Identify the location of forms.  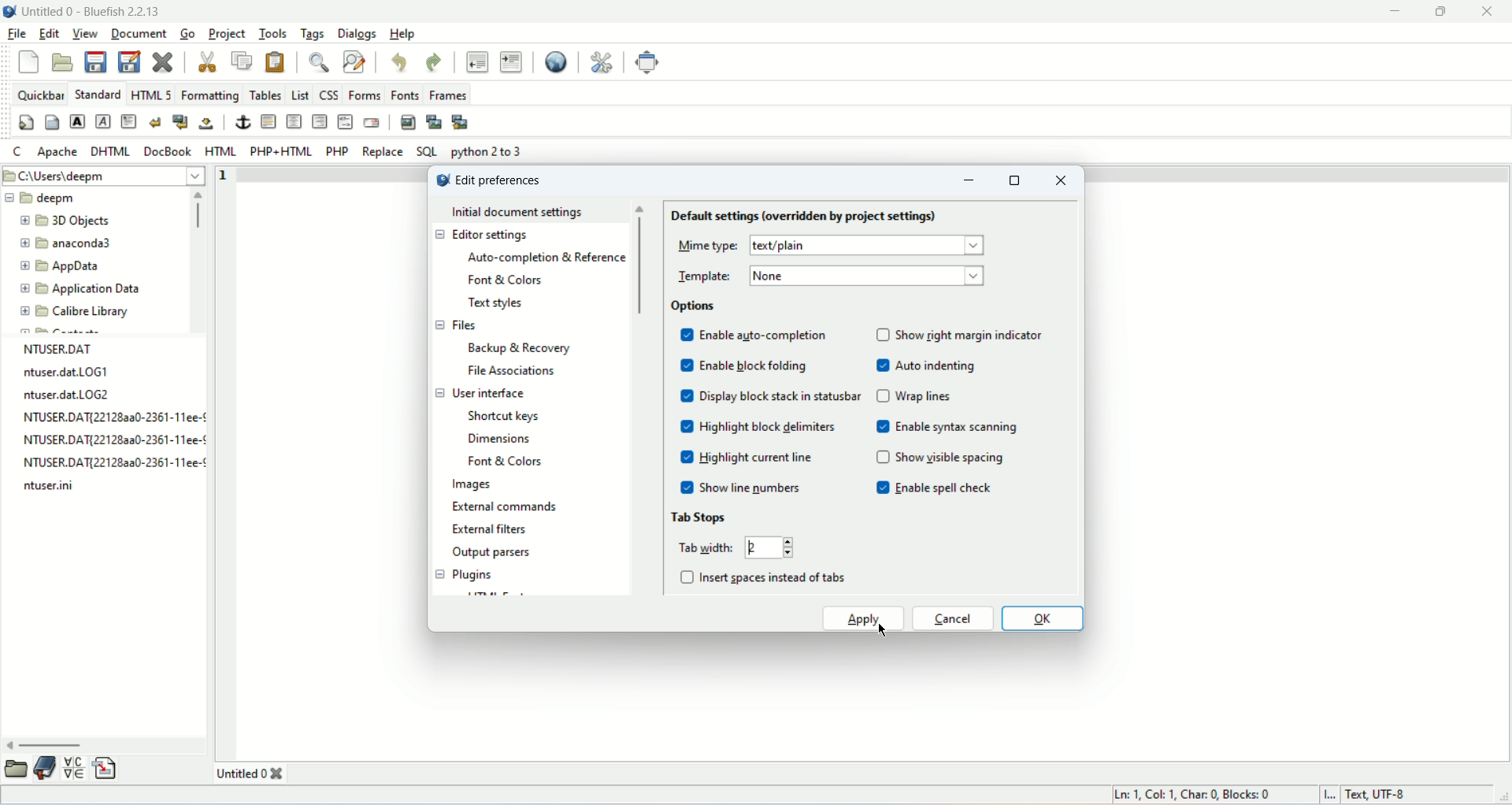
(364, 94).